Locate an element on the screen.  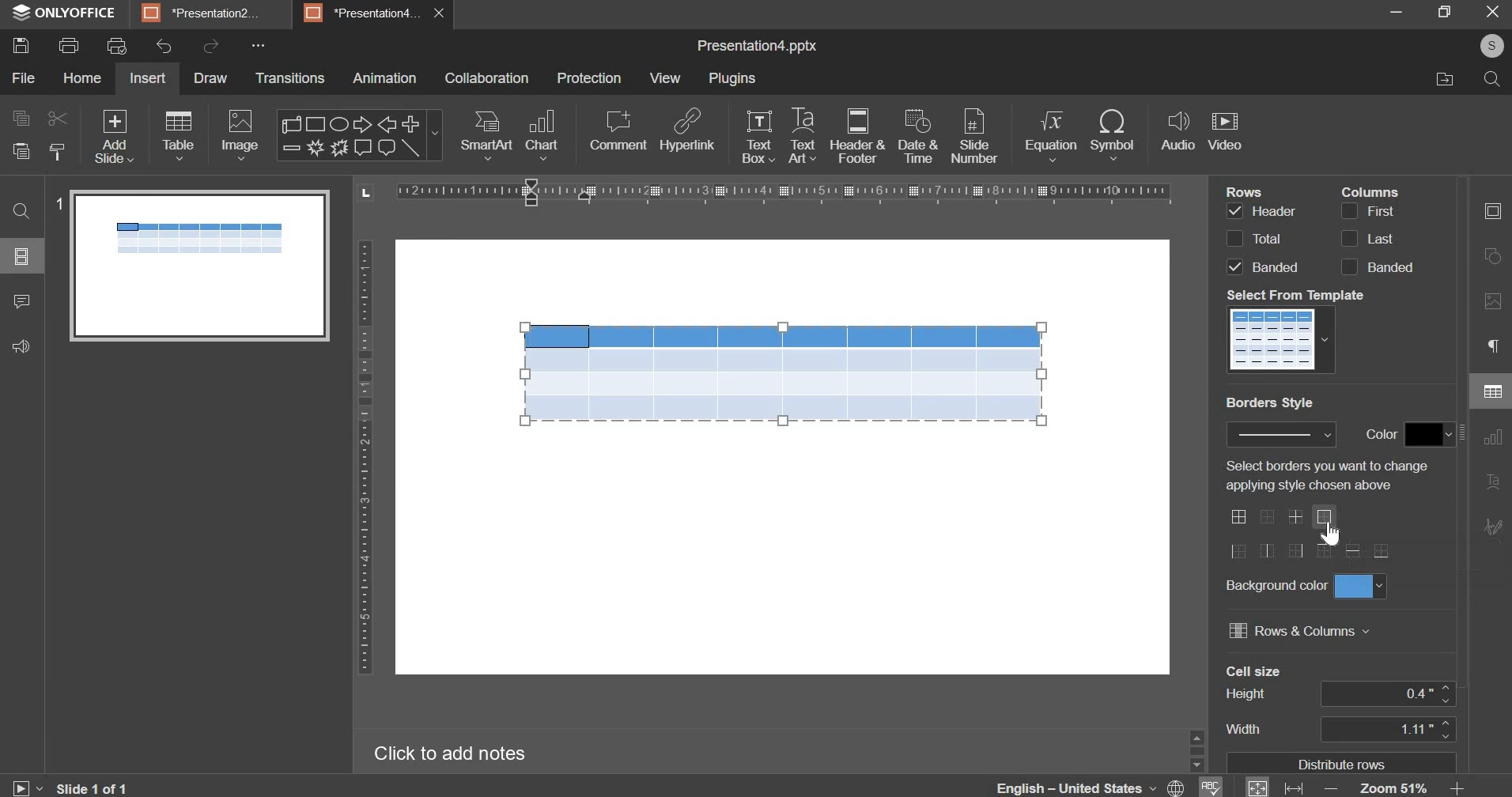
shapes is located at coordinates (358, 135).